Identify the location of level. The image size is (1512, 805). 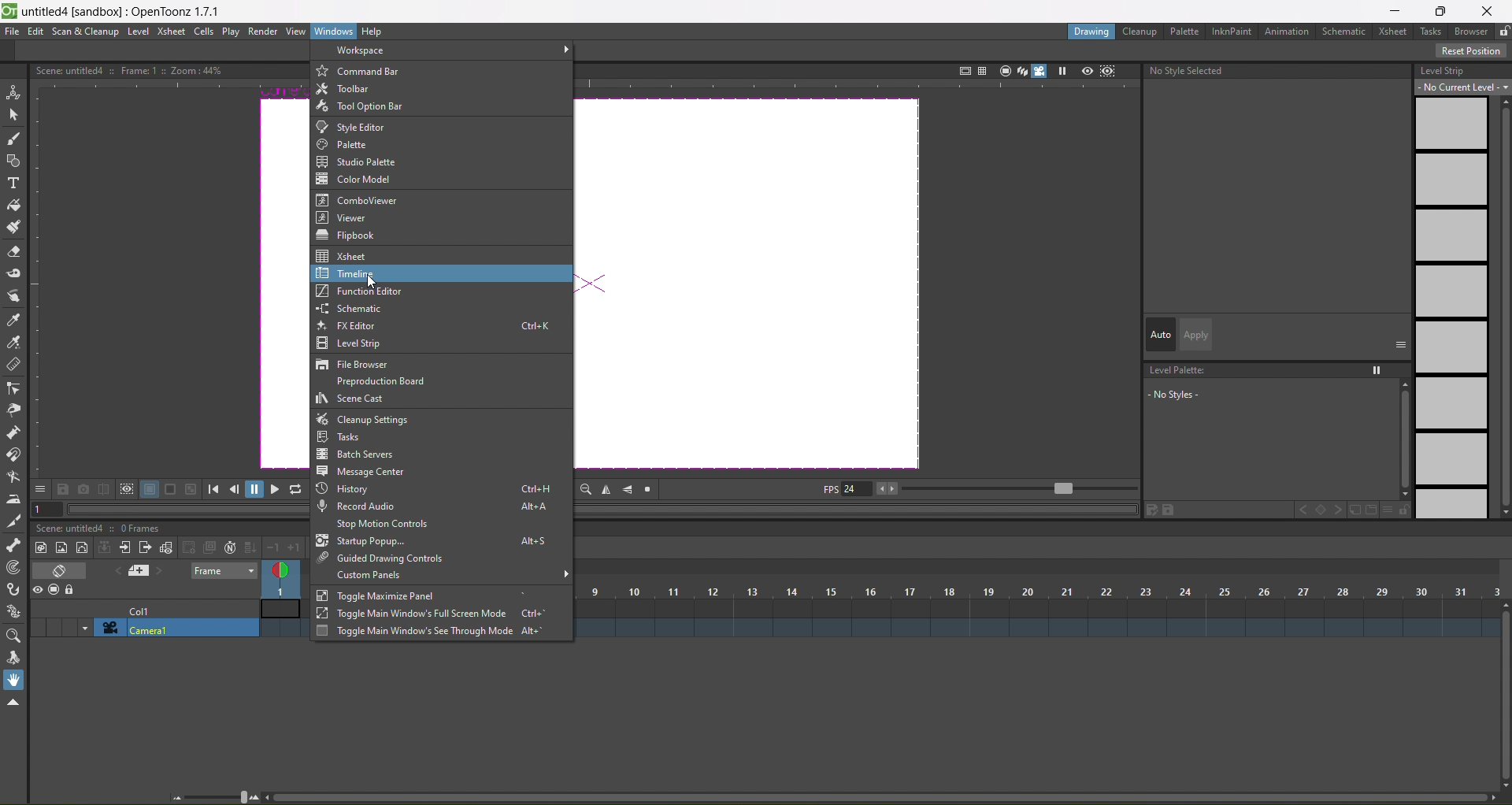
(139, 32).